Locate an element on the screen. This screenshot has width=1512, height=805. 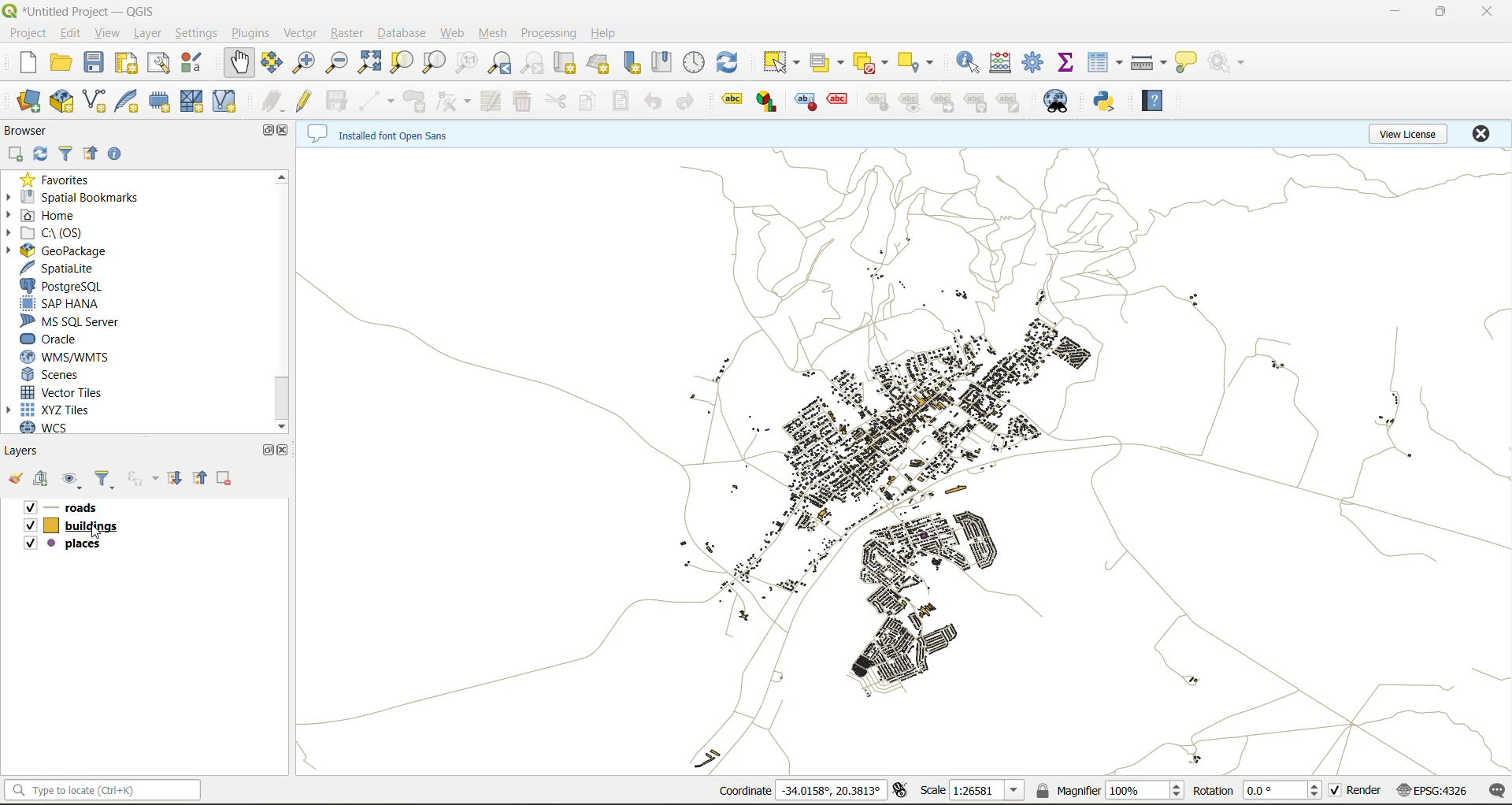
collapse all is located at coordinates (88, 155).